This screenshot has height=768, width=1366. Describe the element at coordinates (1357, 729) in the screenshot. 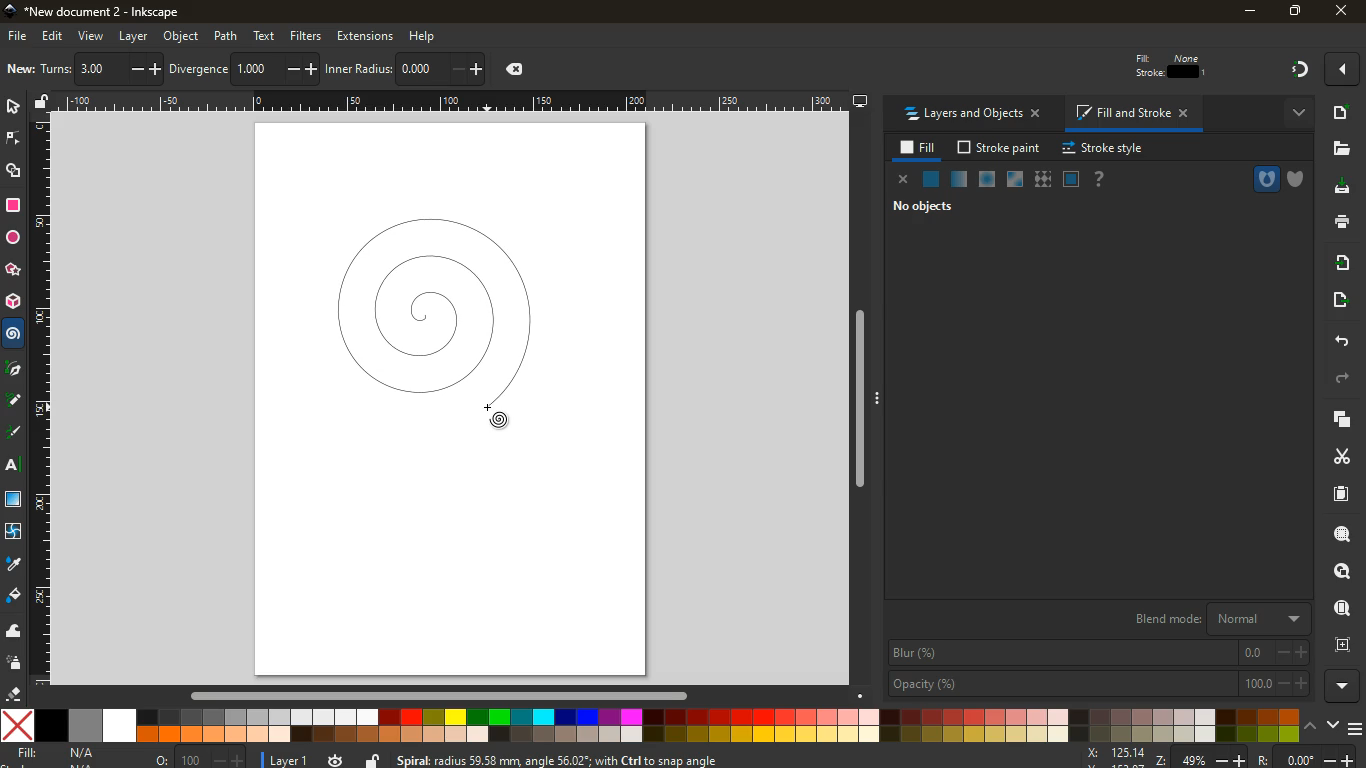

I see `menu` at that location.